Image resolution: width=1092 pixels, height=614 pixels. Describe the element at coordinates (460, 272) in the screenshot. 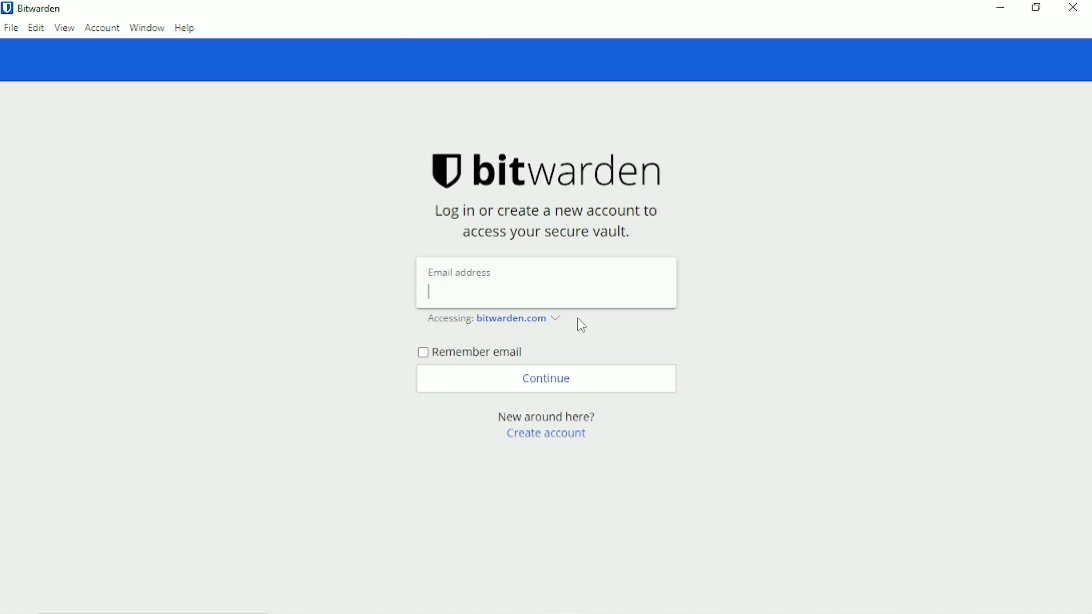

I see `Email address` at that location.